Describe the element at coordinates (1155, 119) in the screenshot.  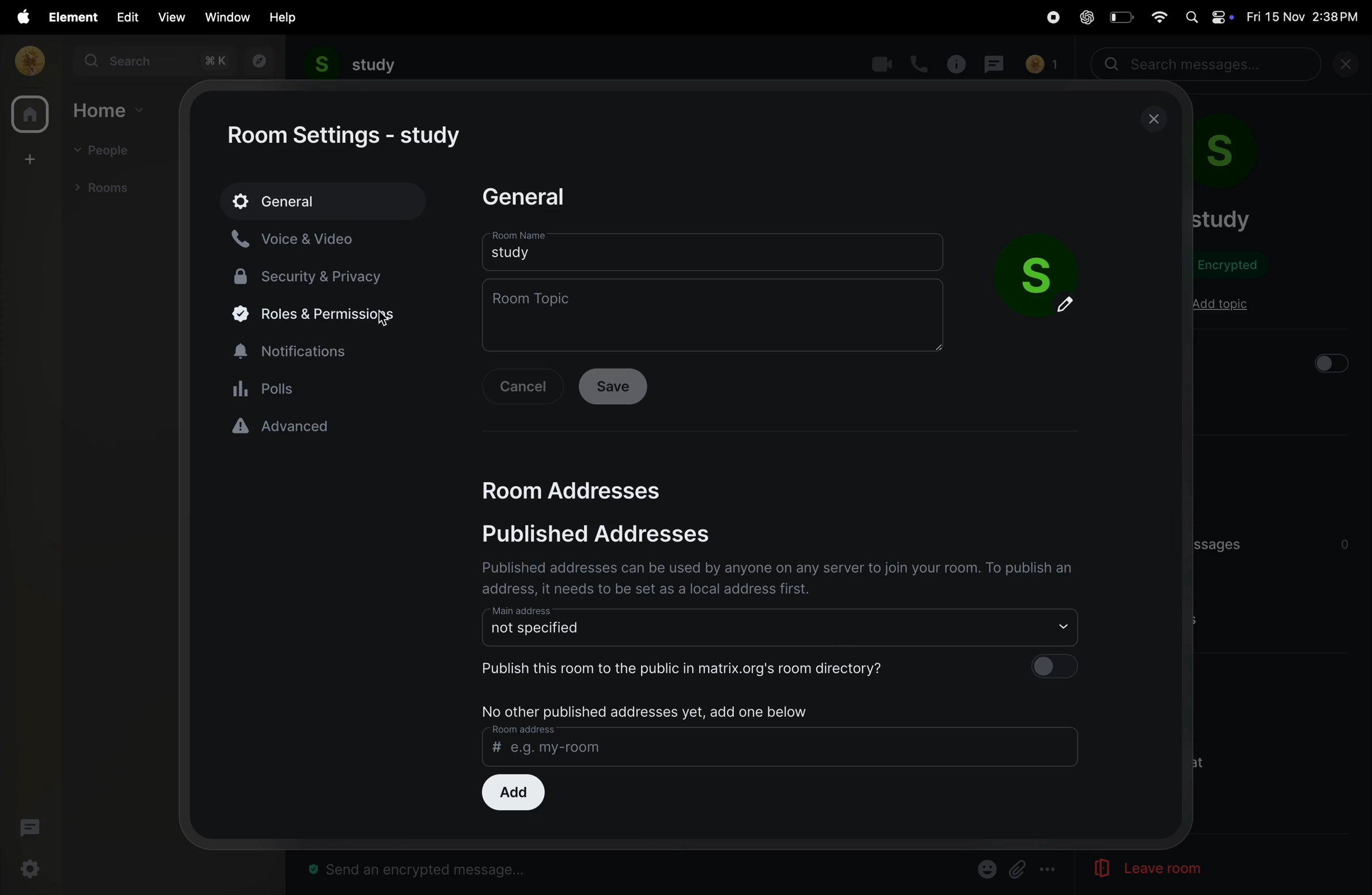
I see `close` at that location.